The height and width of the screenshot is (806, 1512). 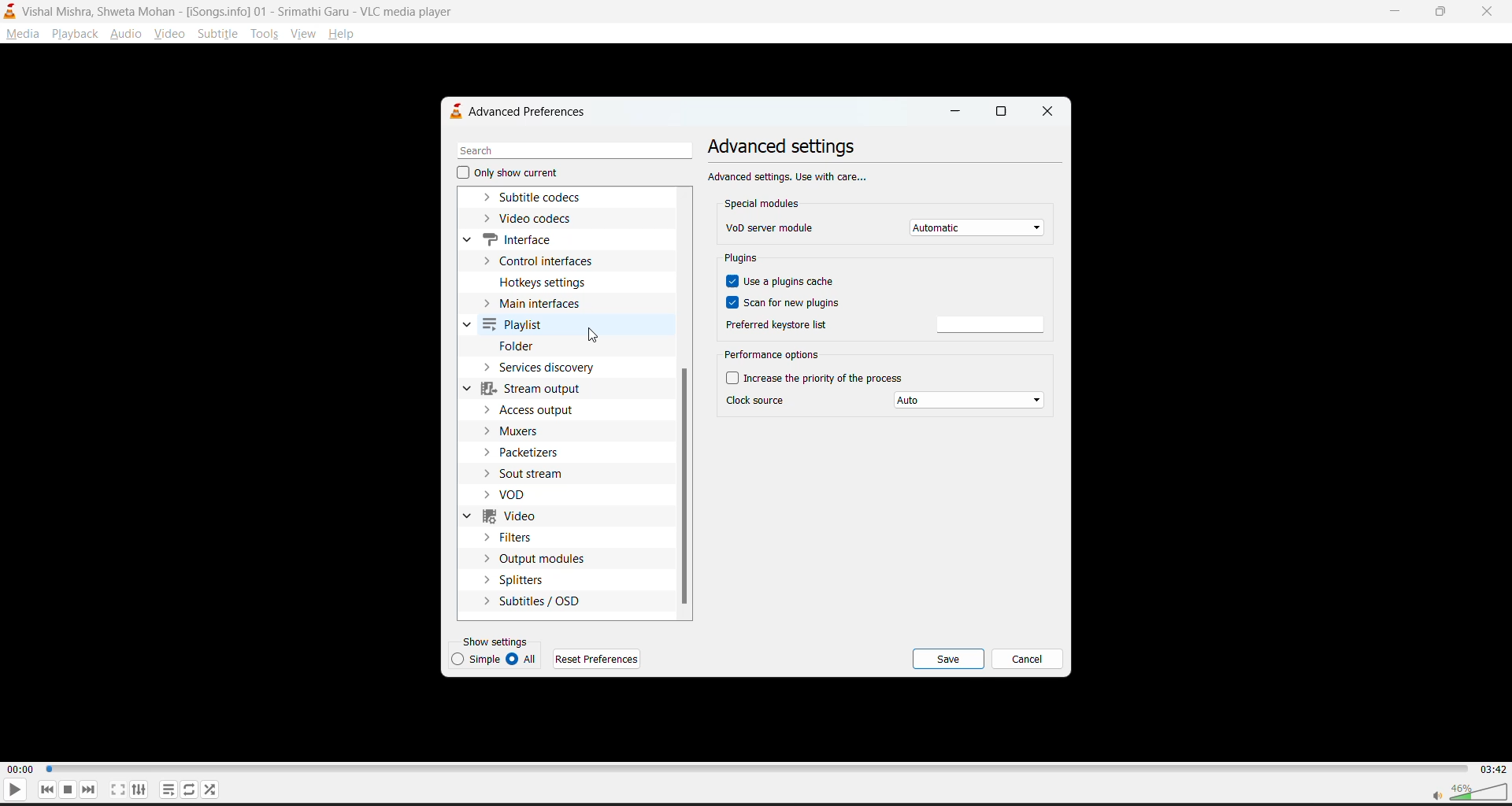 I want to click on playlist, so click(x=513, y=323).